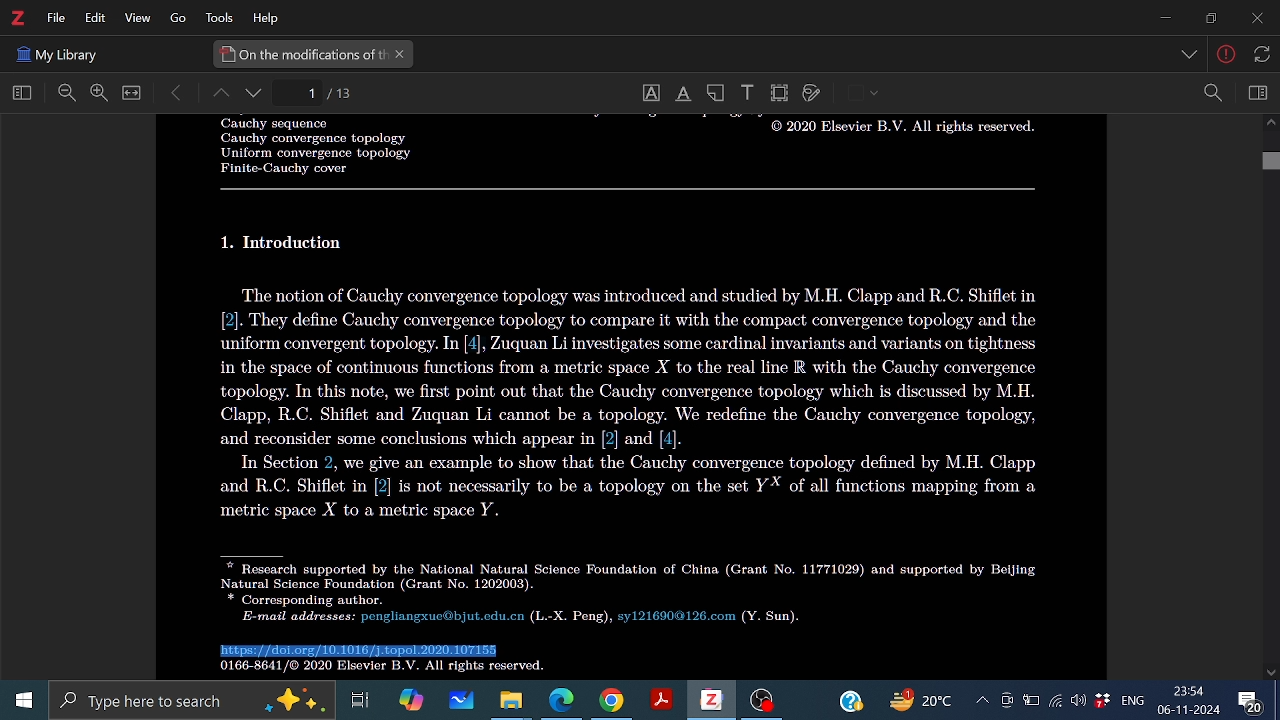  What do you see at coordinates (1031, 701) in the screenshot?
I see `Batttery` at bounding box center [1031, 701].